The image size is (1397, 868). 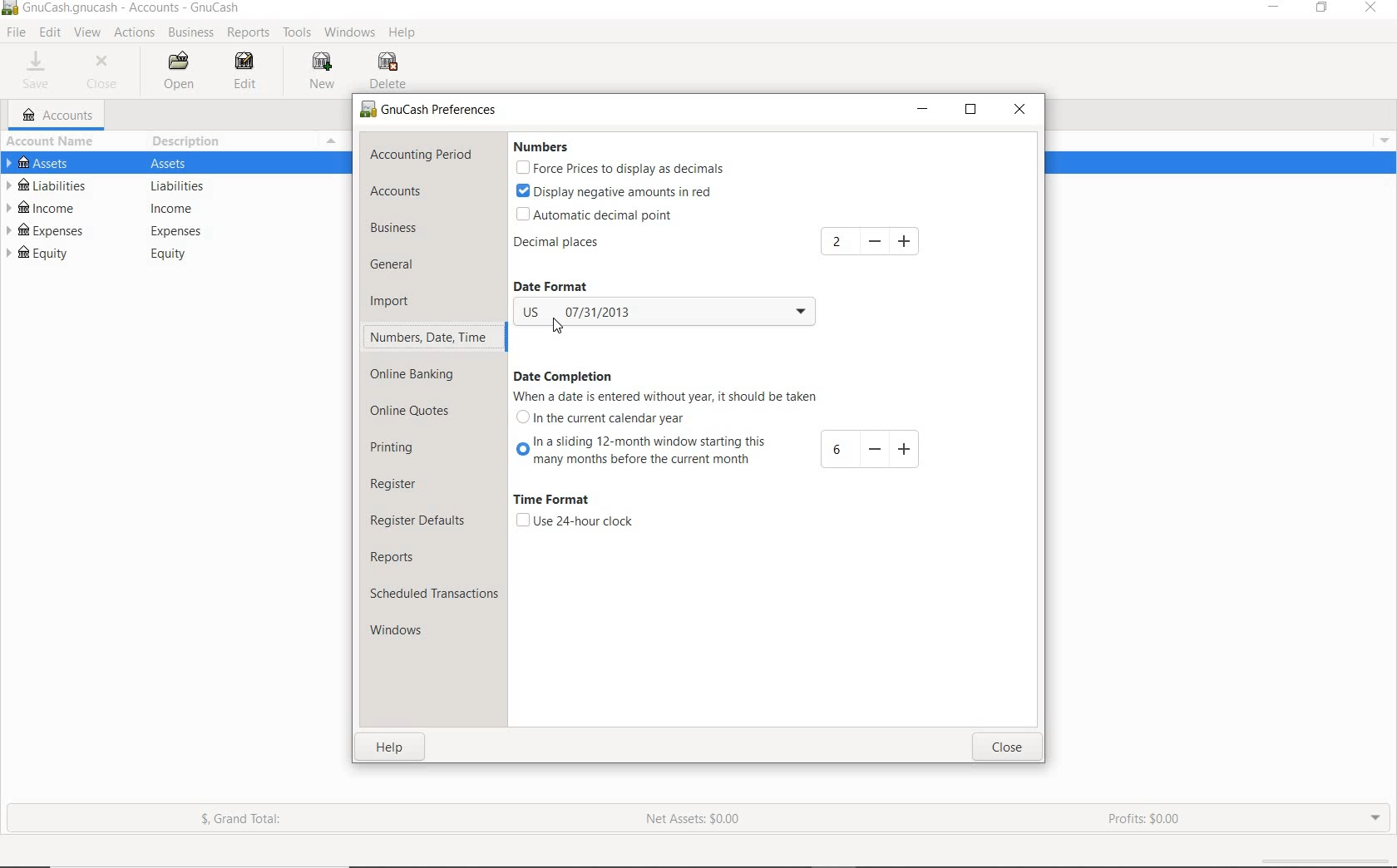 What do you see at coordinates (190, 32) in the screenshot?
I see `BUSIINESS` at bounding box center [190, 32].